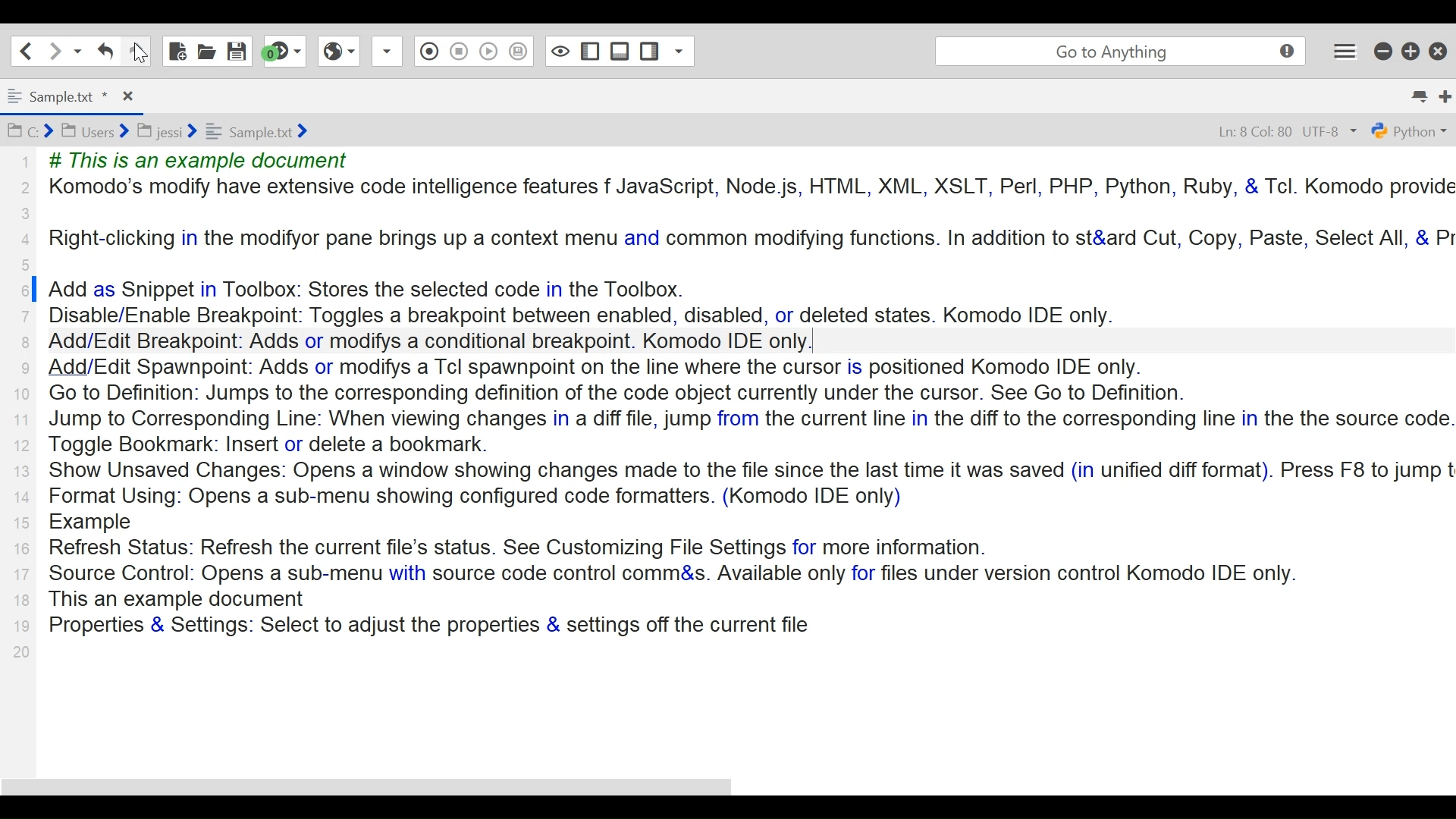 This screenshot has height=819, width=1456. What do you see at coordinates (127, 96) in the screenshot?
I see `Close` at bounding box center [127, 96].